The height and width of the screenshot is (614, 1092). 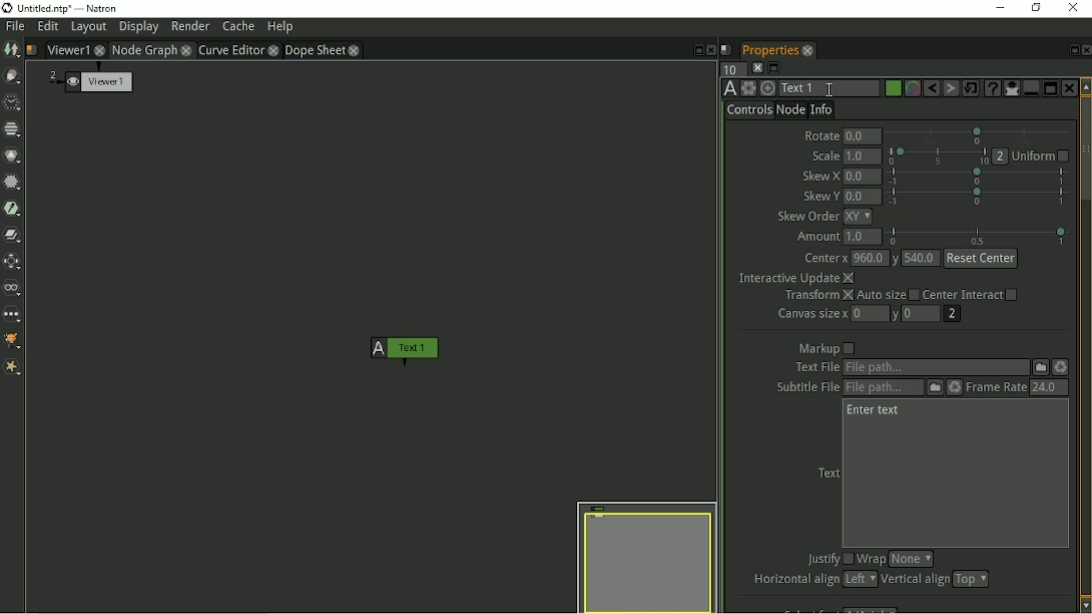 I want to click on close, so click(x=187, y=51).